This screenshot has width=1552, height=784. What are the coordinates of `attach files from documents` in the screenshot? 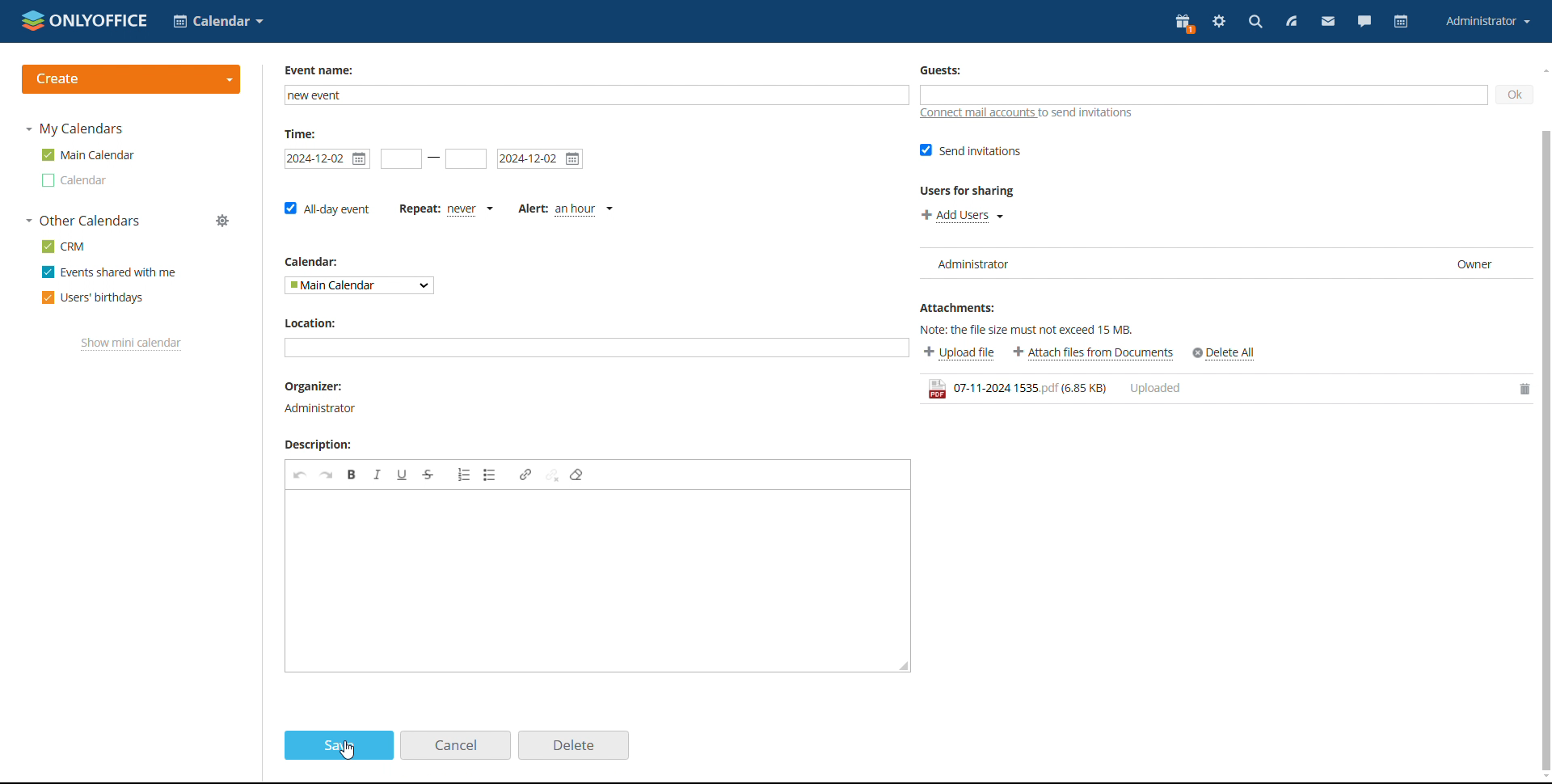 It's located at (1093, 353).